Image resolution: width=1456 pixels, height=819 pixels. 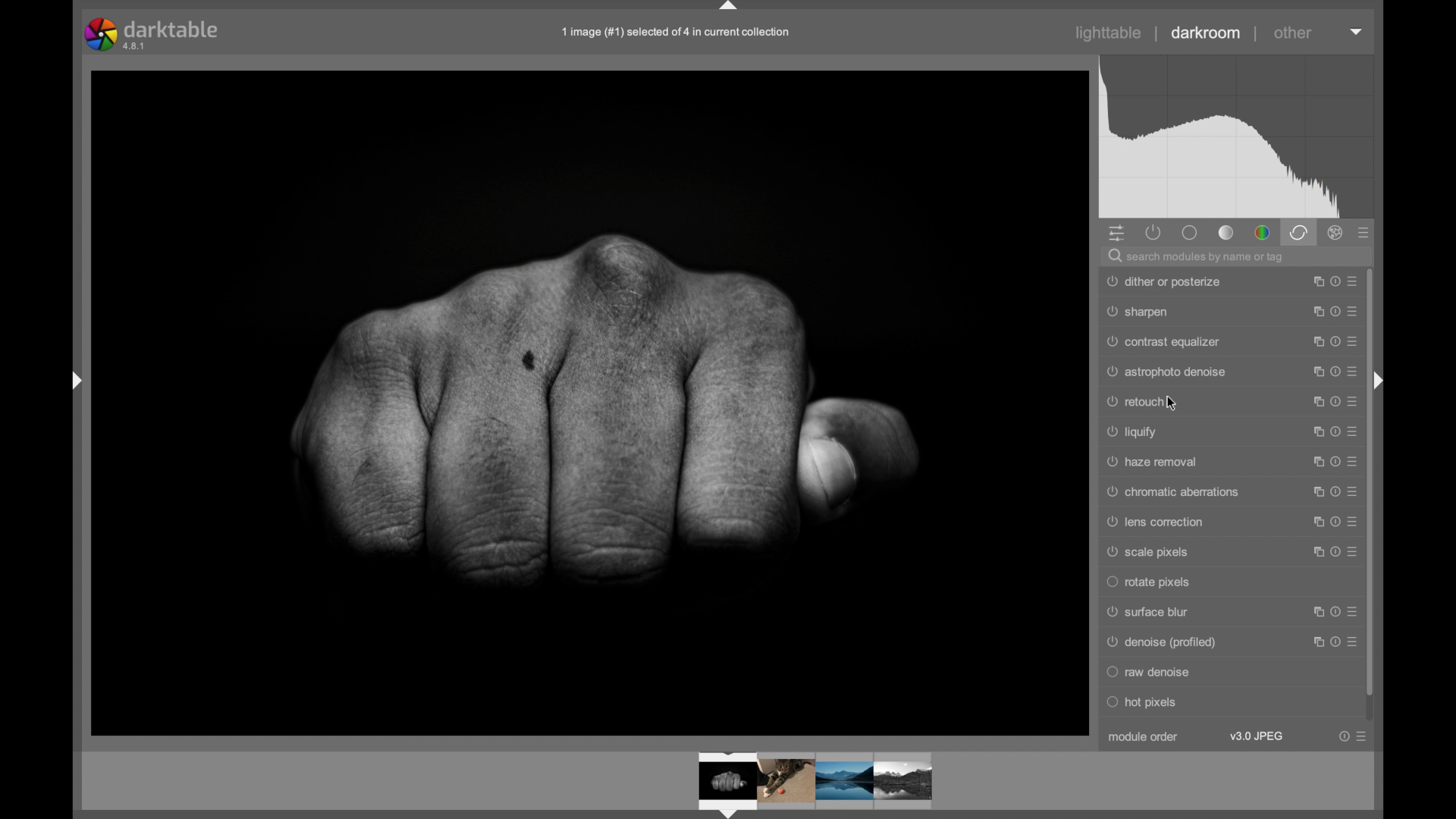 What do you see at coordinates (1370, 483) in the screenshot?
I see `scroll box` at bounding box center [1370, 483].